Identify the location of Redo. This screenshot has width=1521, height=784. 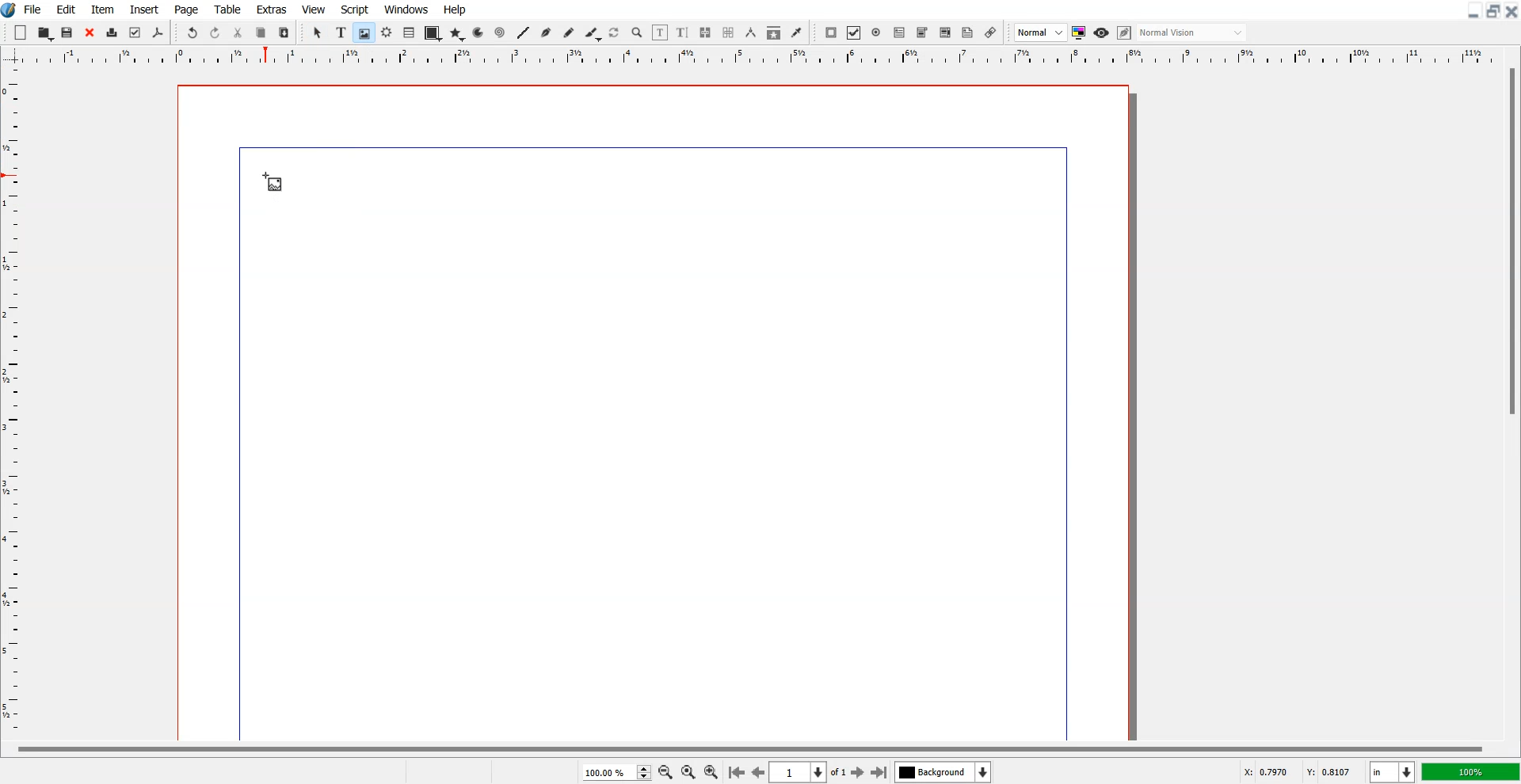
(215, 32).